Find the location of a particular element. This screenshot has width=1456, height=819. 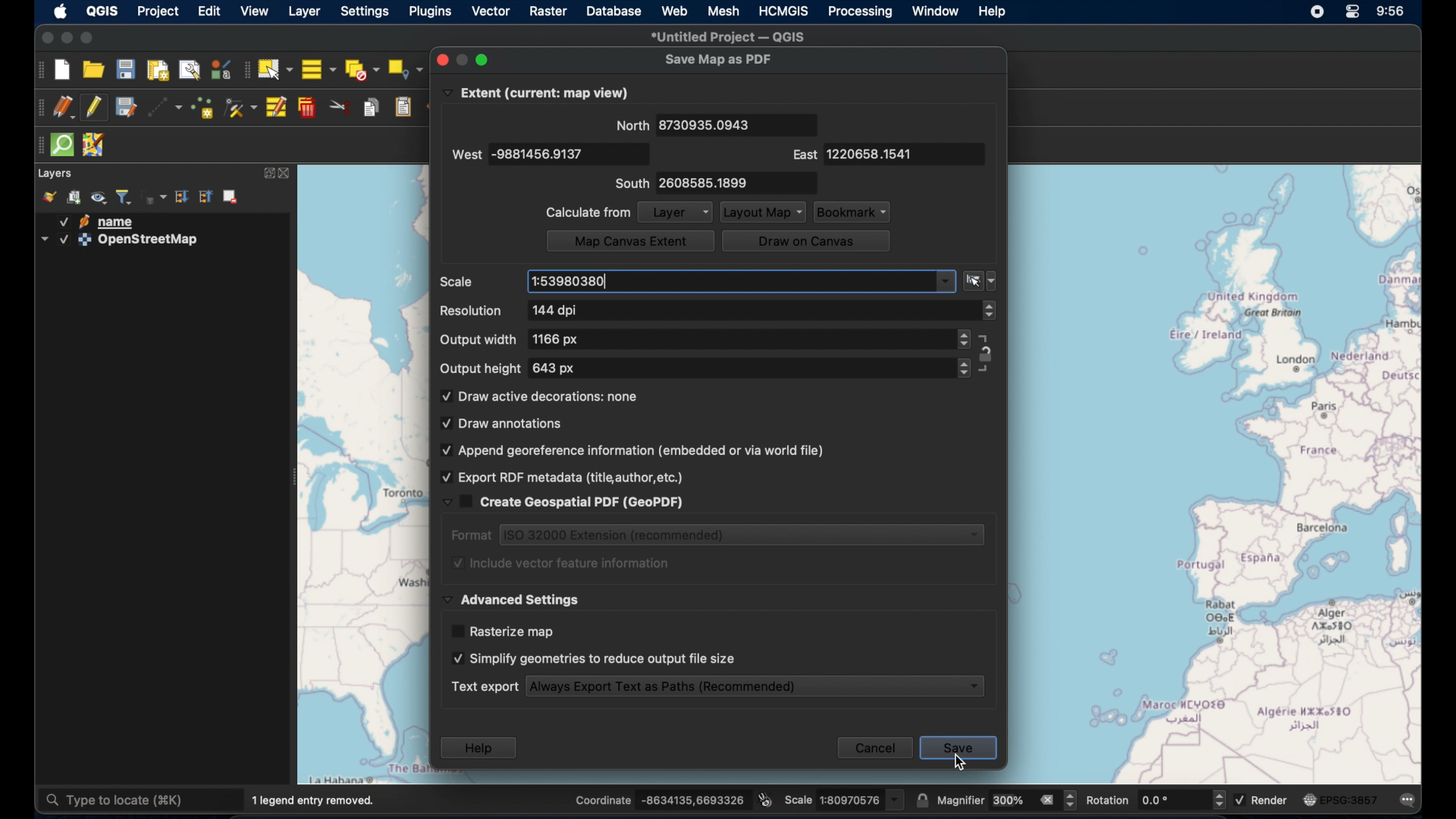

toggle extents and mouse display position is located at coordinates (767, 799).